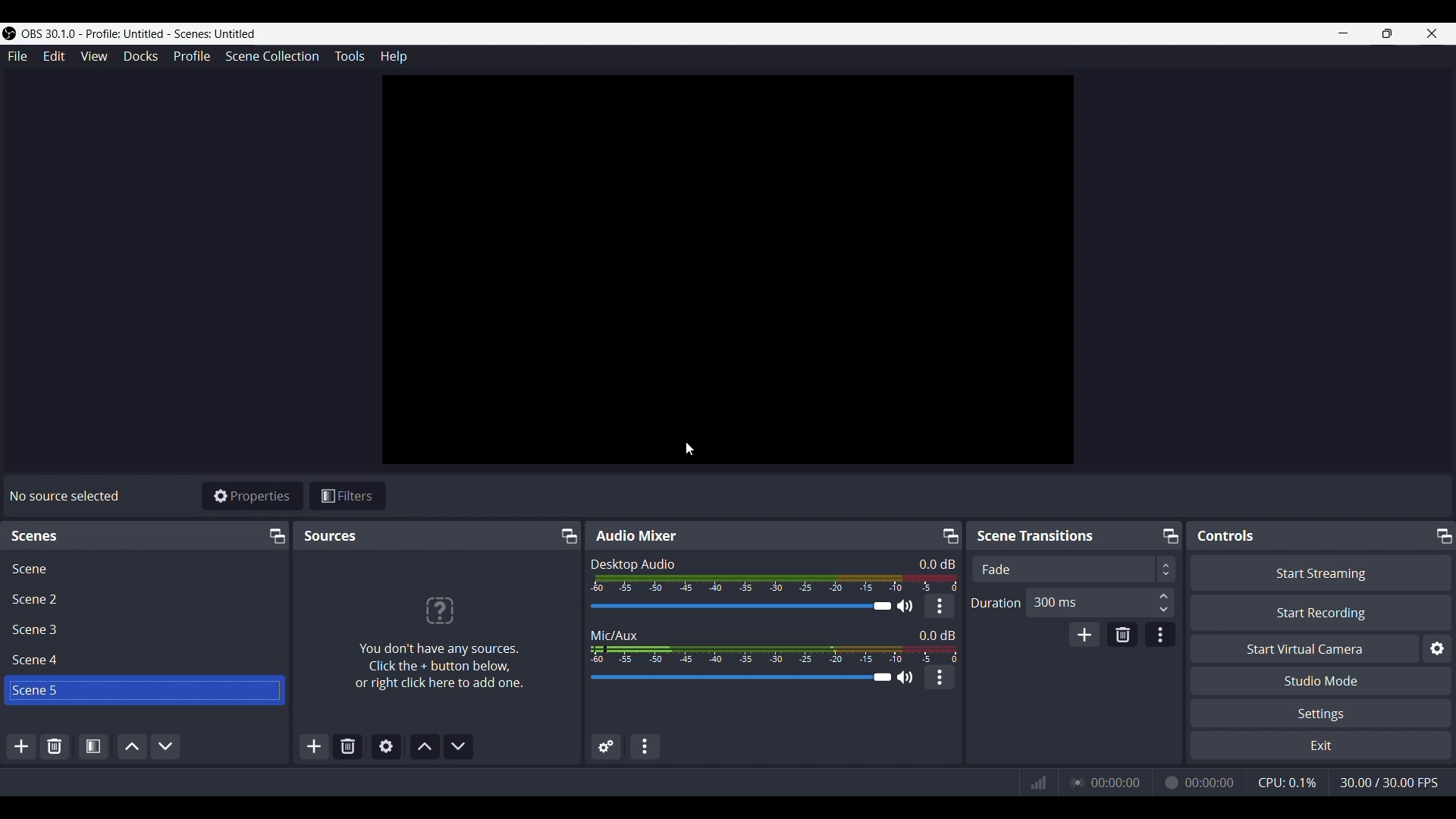  What do you see at coordinates (45, 536) in the screenshot?
I see `Text` at bounding box center [45, 536].